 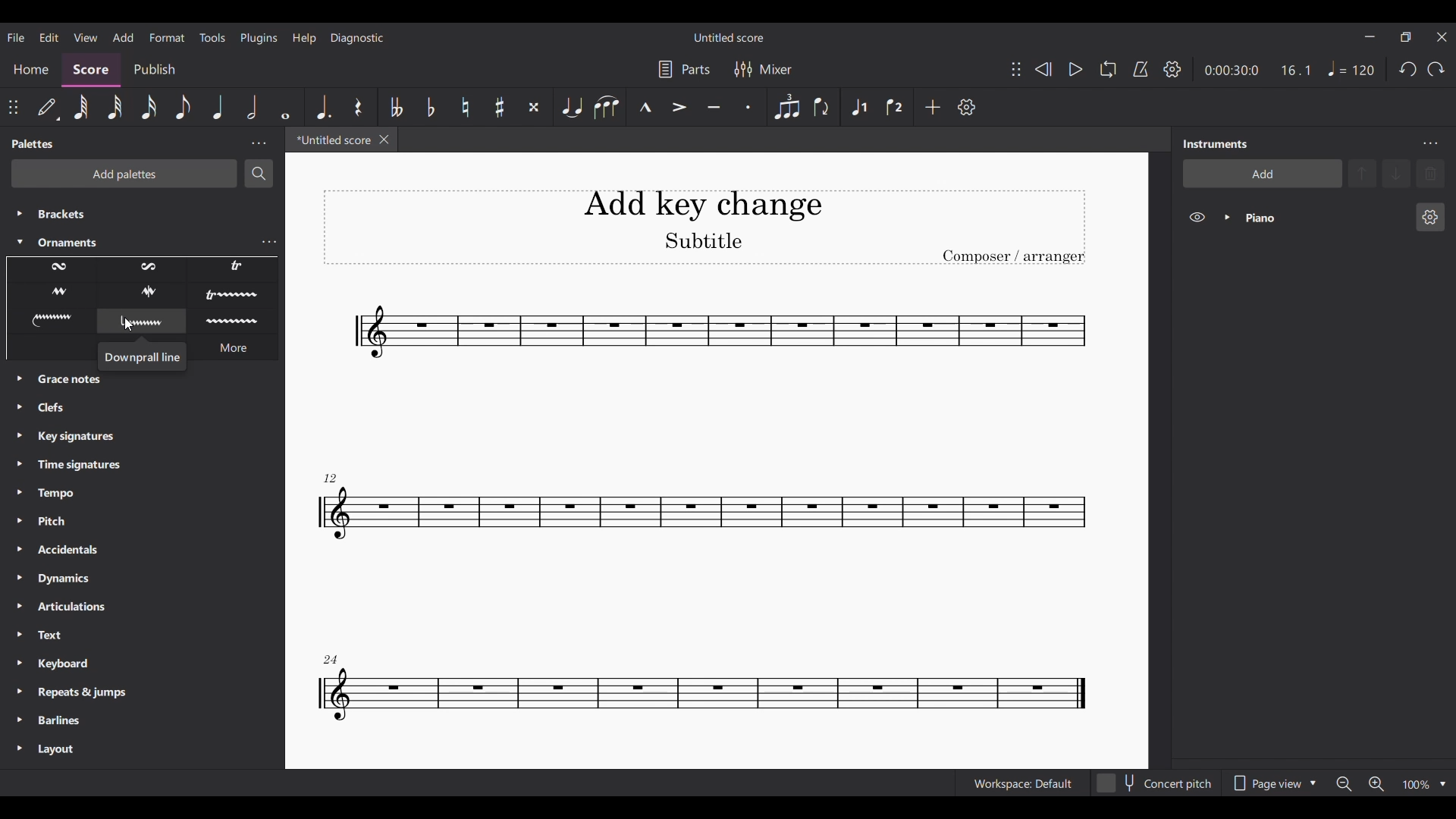 What do you see at coordinates (303, 38) in the screenshot?
I see `Help menu` at bounding box center [303, 38].